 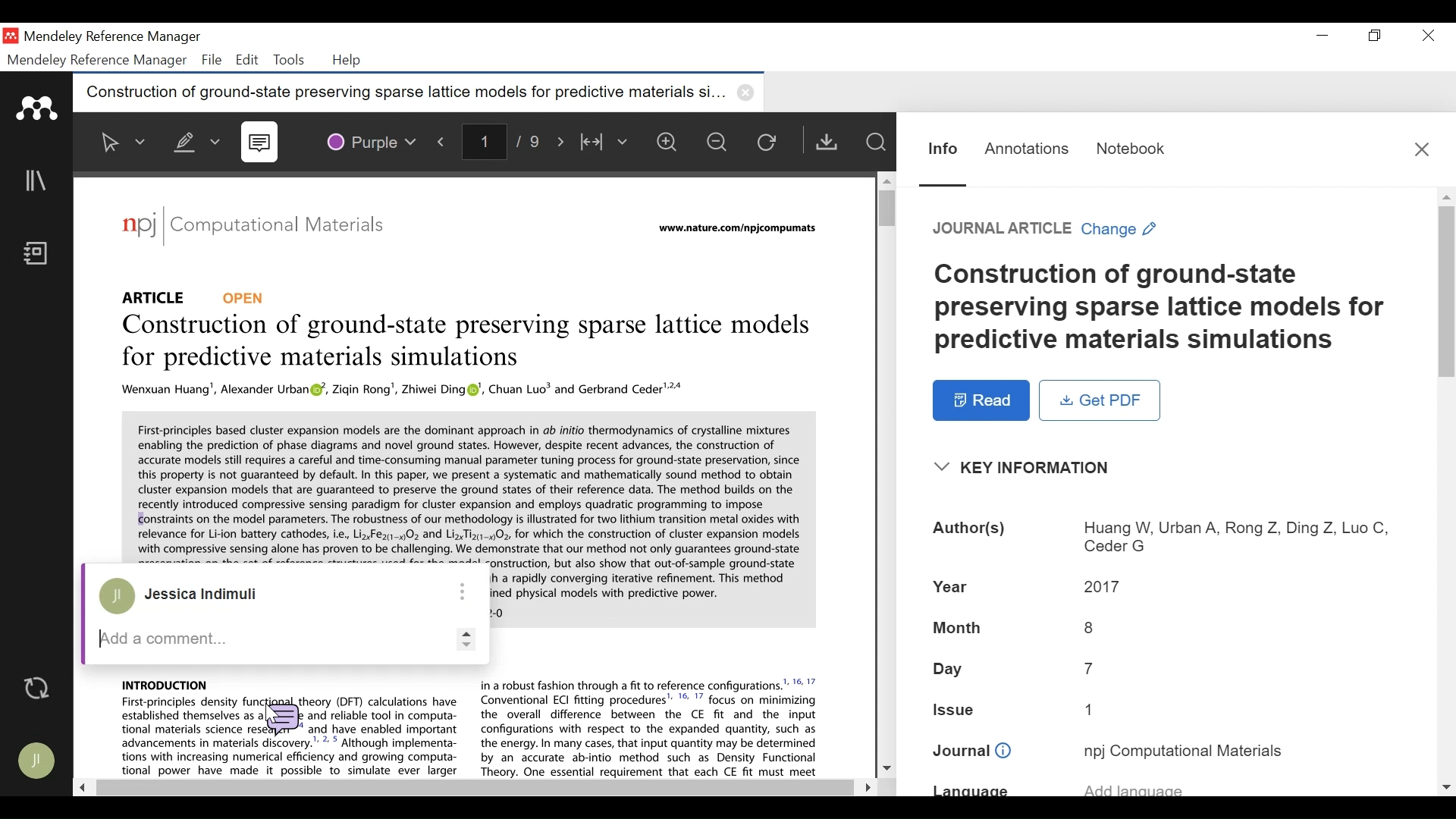 What do you see at coordinates (1373, 36) in the screenshot?
I see `Restore` at bounding box center [1373, 36].